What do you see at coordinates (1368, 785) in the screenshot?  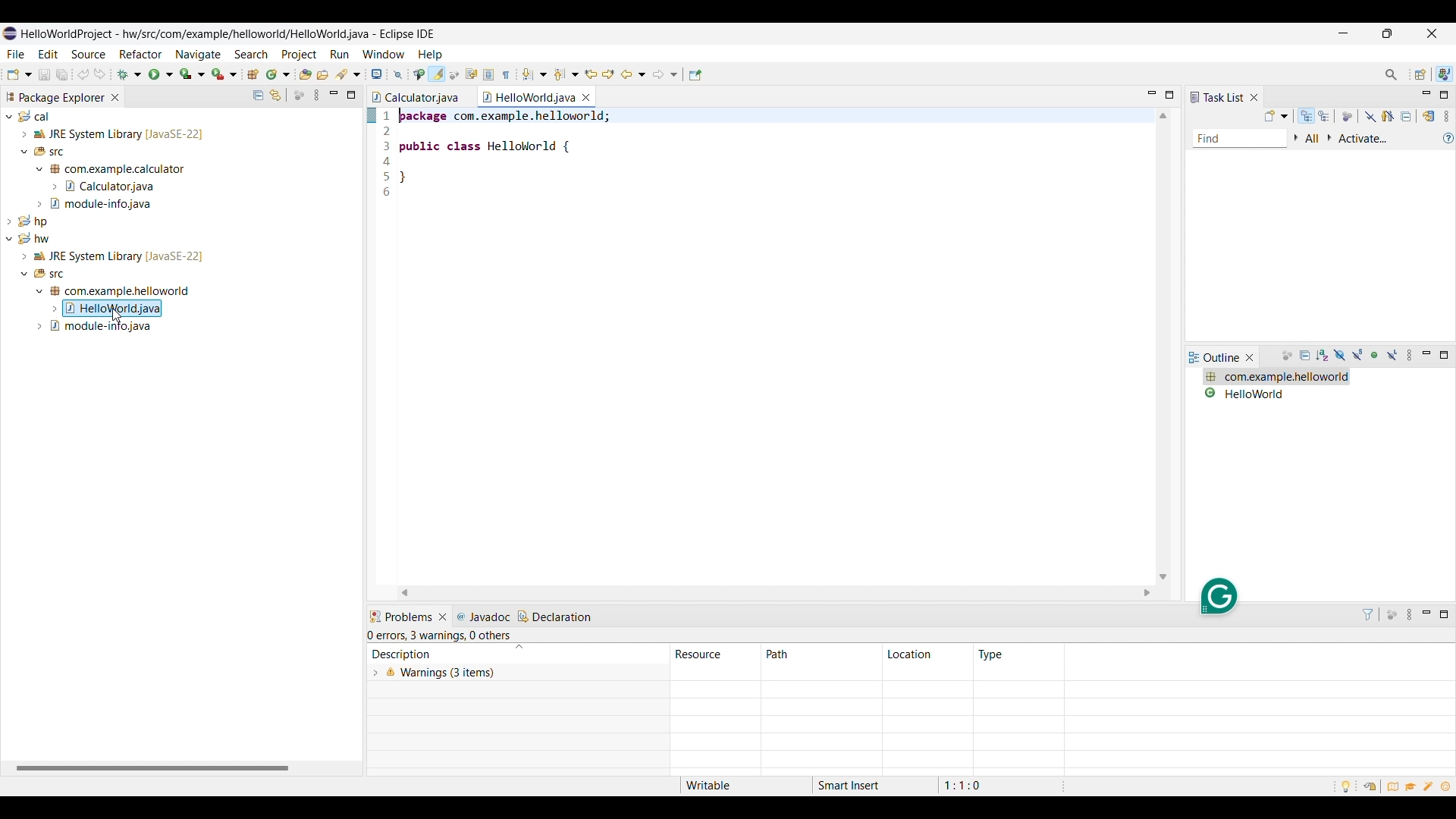 I see `Restore welcome` at bounding box center [1368, 785].